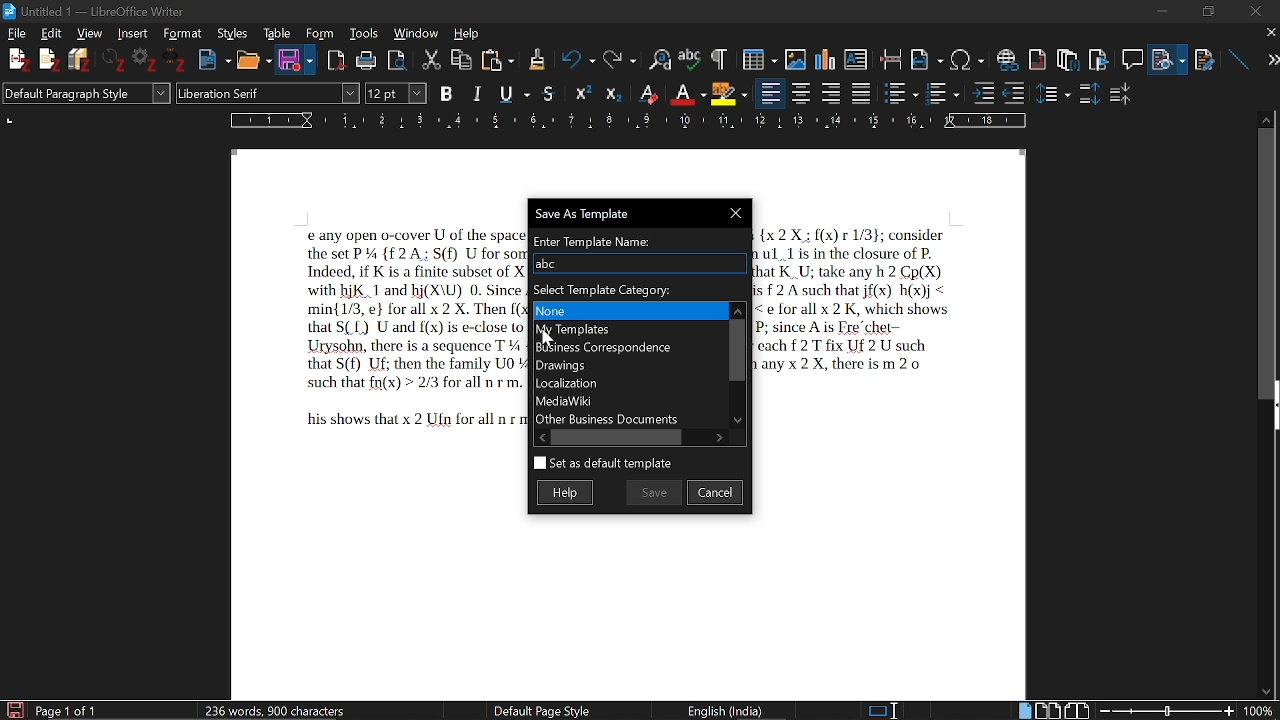 The height and width of the screenshot is (720, 1280). I want to click on Move right, so click(721, 436).